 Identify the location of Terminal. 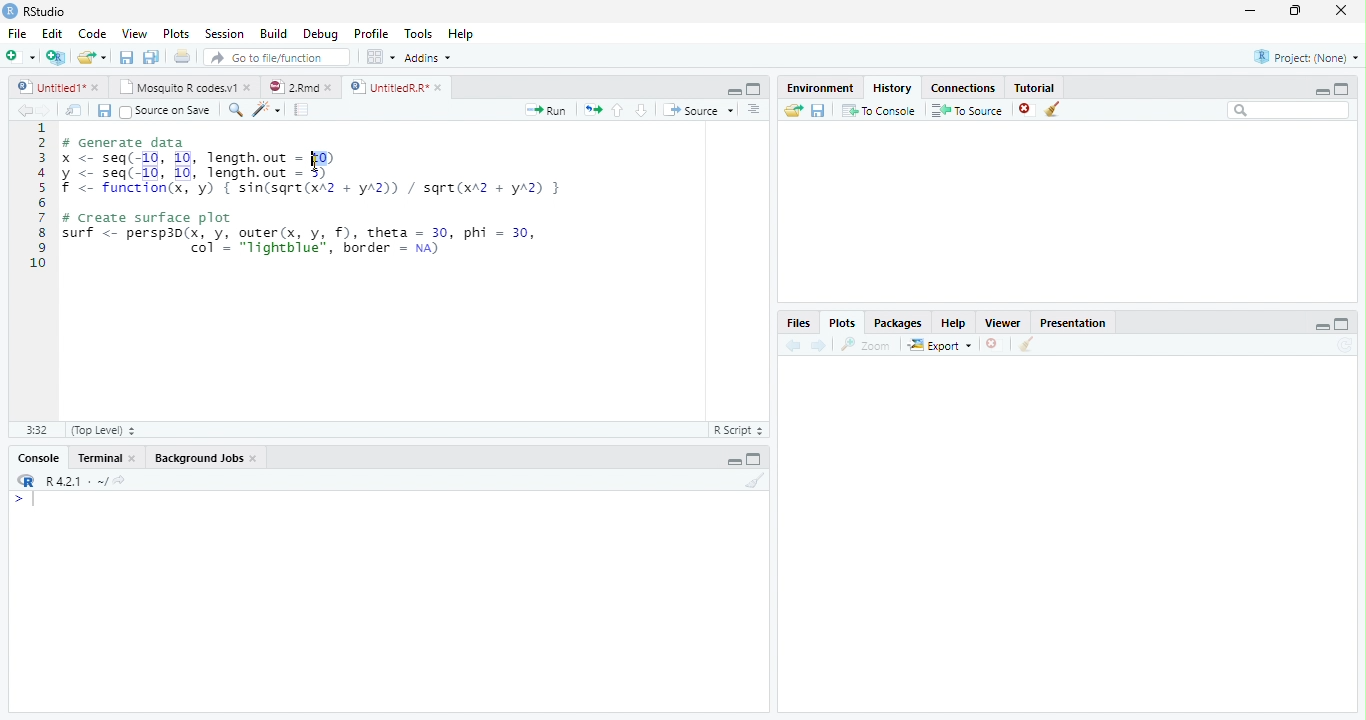
(99, 458).